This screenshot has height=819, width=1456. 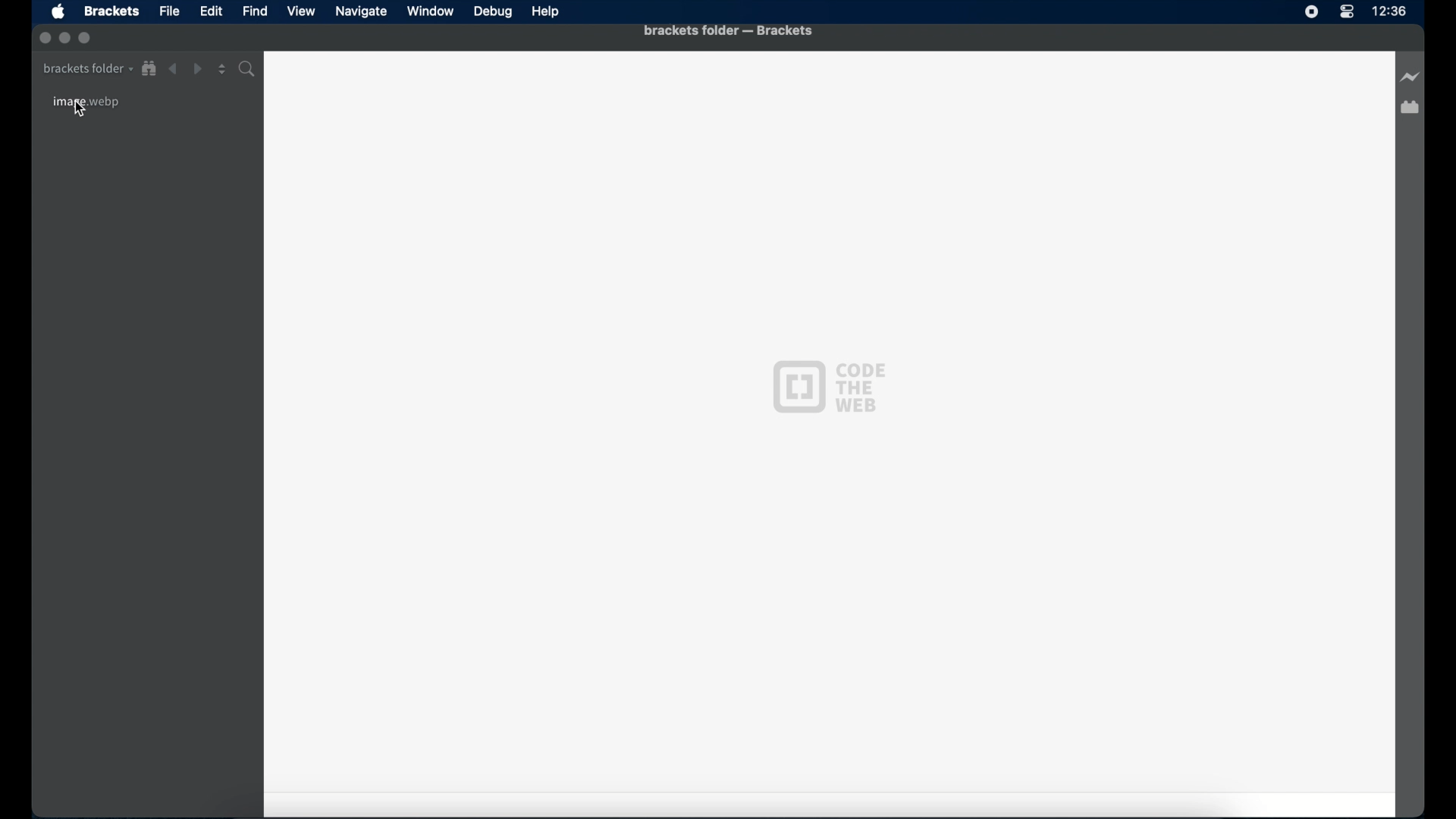 What do you see at coordinates (216, 14) in the screenshot?
I see `Edit` at bounding box center [216, 14].